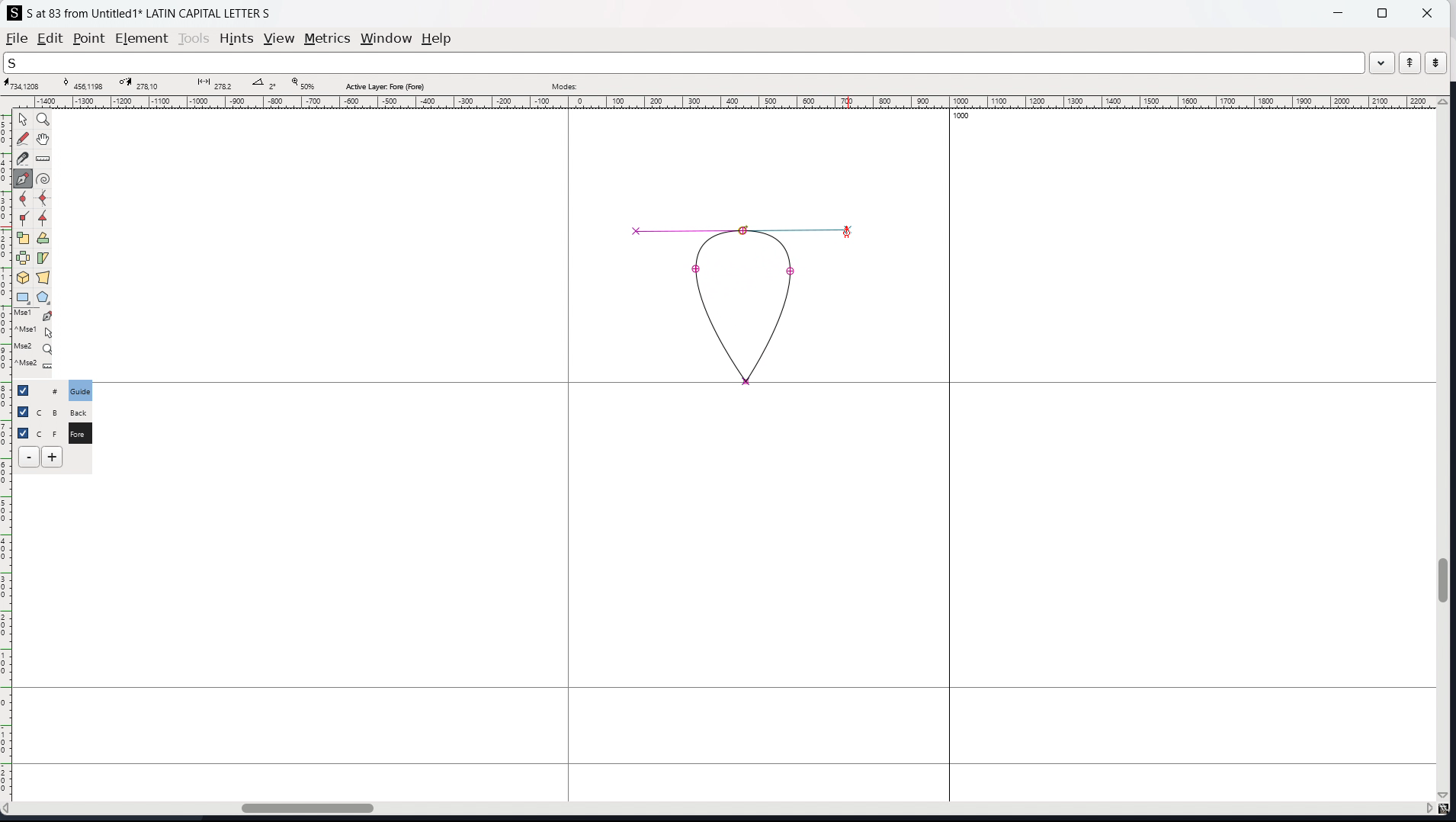 This screenshot has height=822, width=1456. I want to click on selection toggle, so click(24, 432).